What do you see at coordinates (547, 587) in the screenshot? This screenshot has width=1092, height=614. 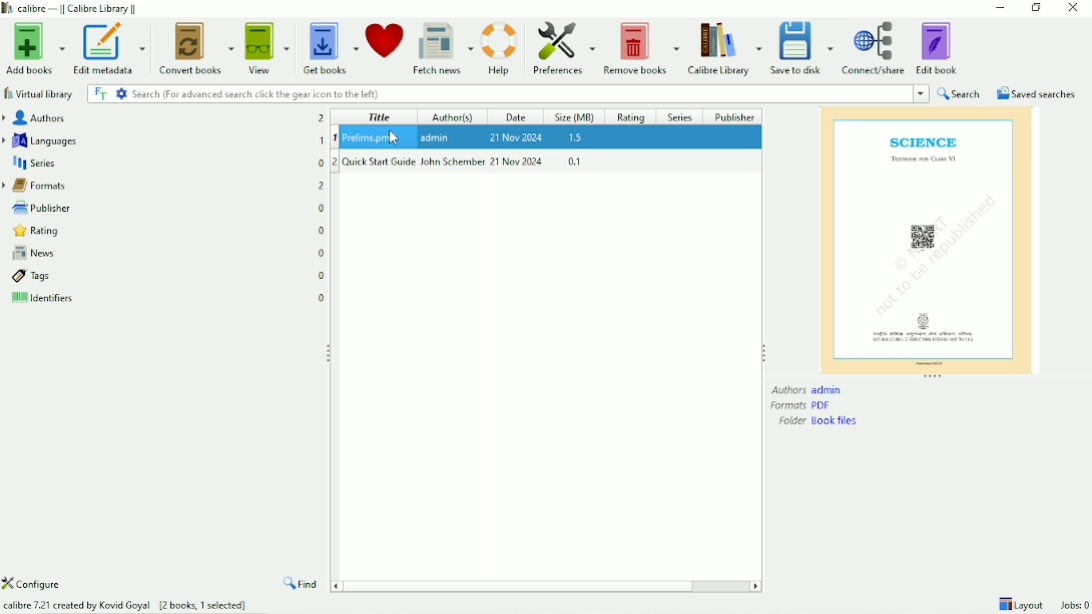 I see `Horizontal scrollbar` at bounding box center [547, 587].